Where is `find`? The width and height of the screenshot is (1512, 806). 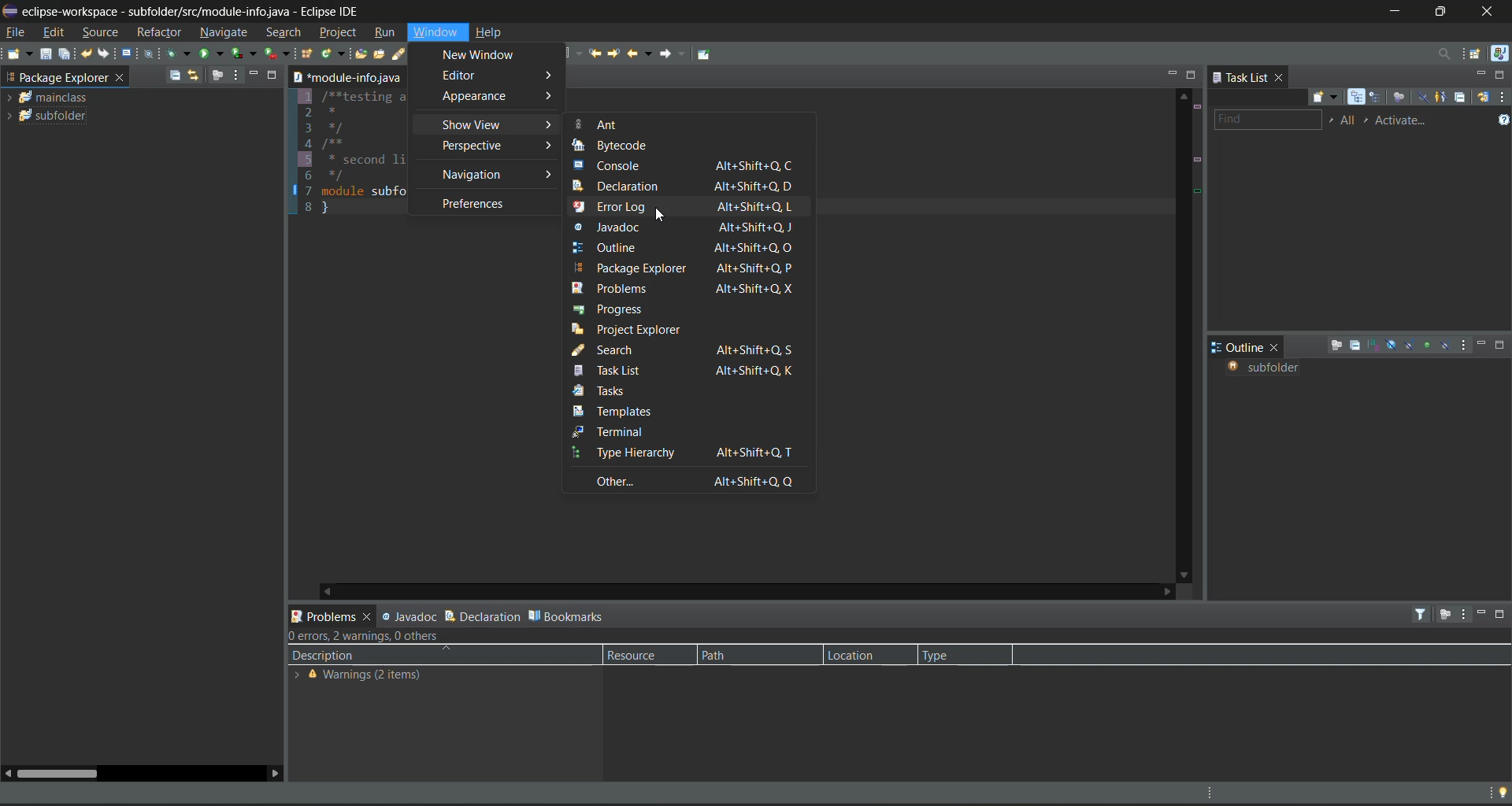
find is located at coordinates (1266, 121).